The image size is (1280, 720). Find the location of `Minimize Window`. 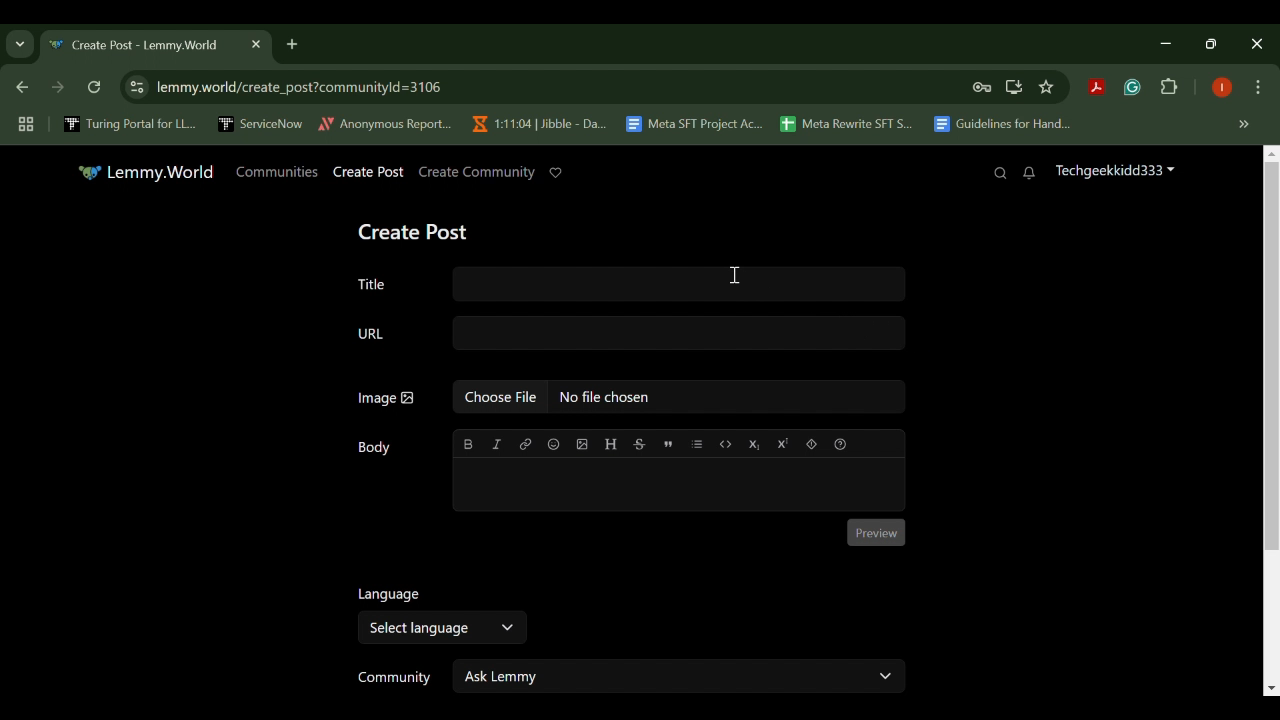

Minimize Window is located at coordinates (1214, 43).